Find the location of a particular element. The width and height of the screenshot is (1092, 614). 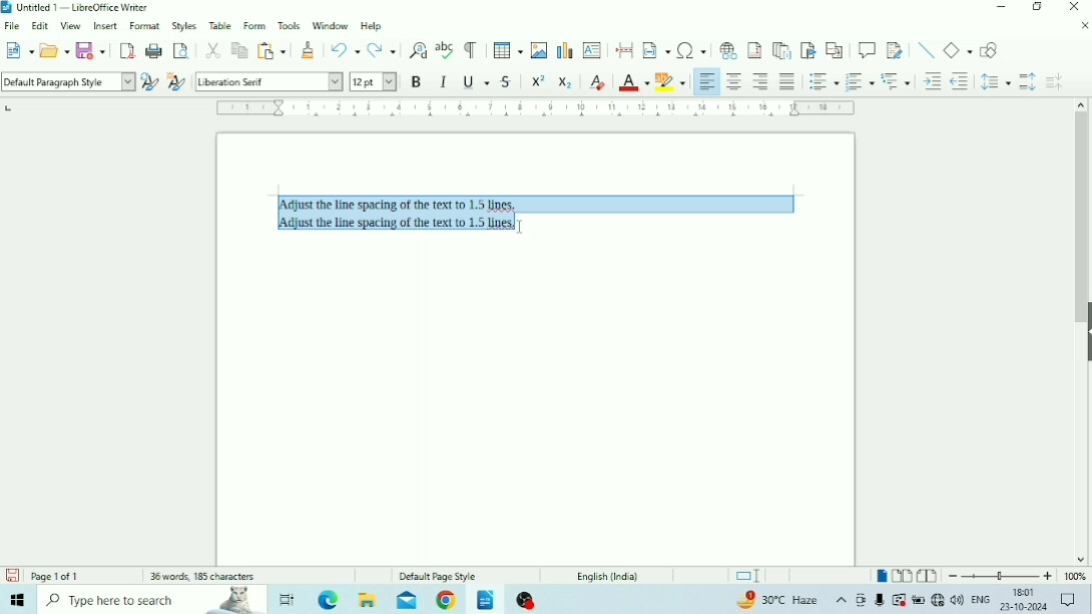

File is located at coordinates (12, 26).